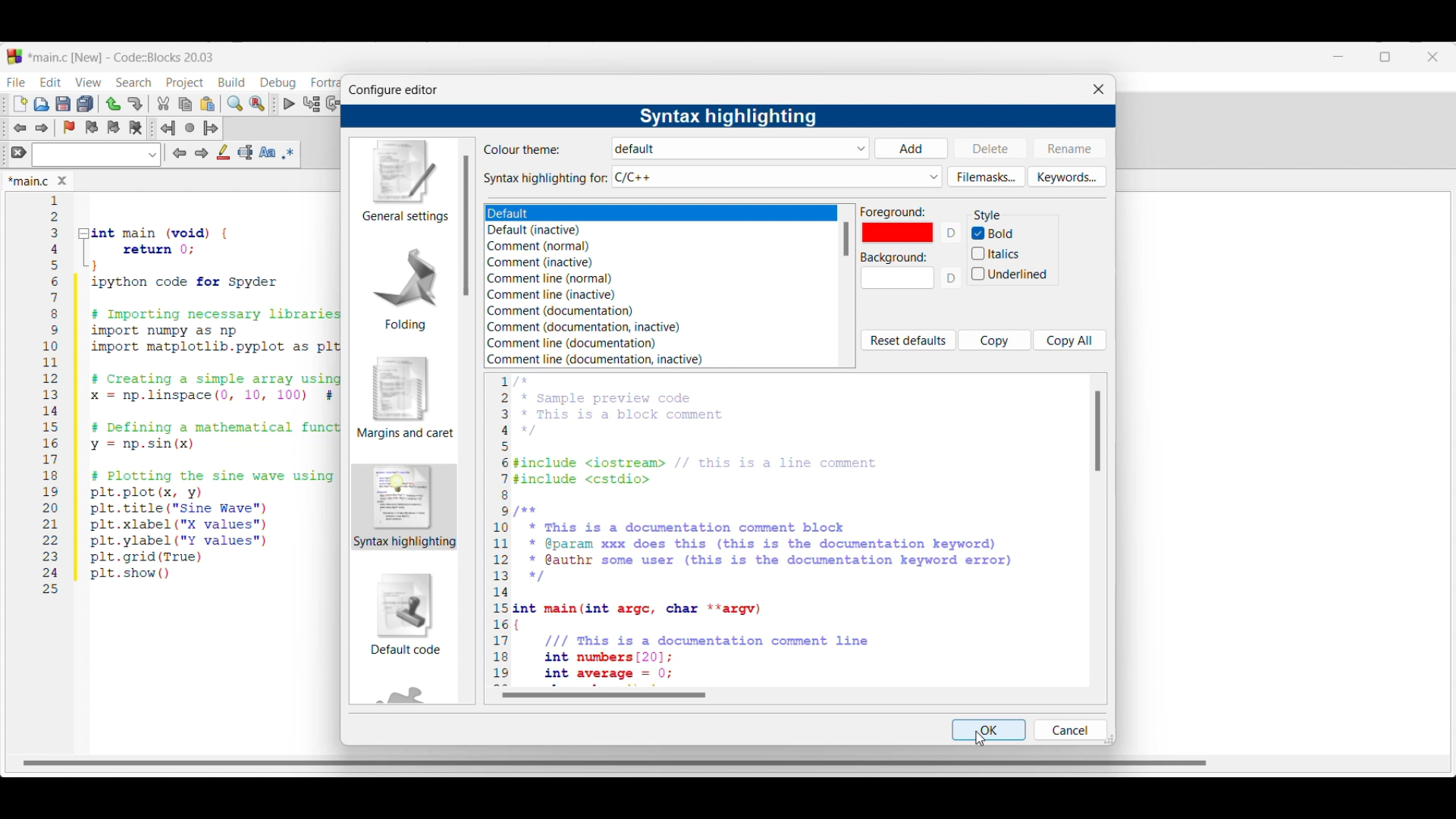 The width and height of the screenshot is (1456, 819). I want to click on Indicates Bold toggle is on, so click(978, 234).